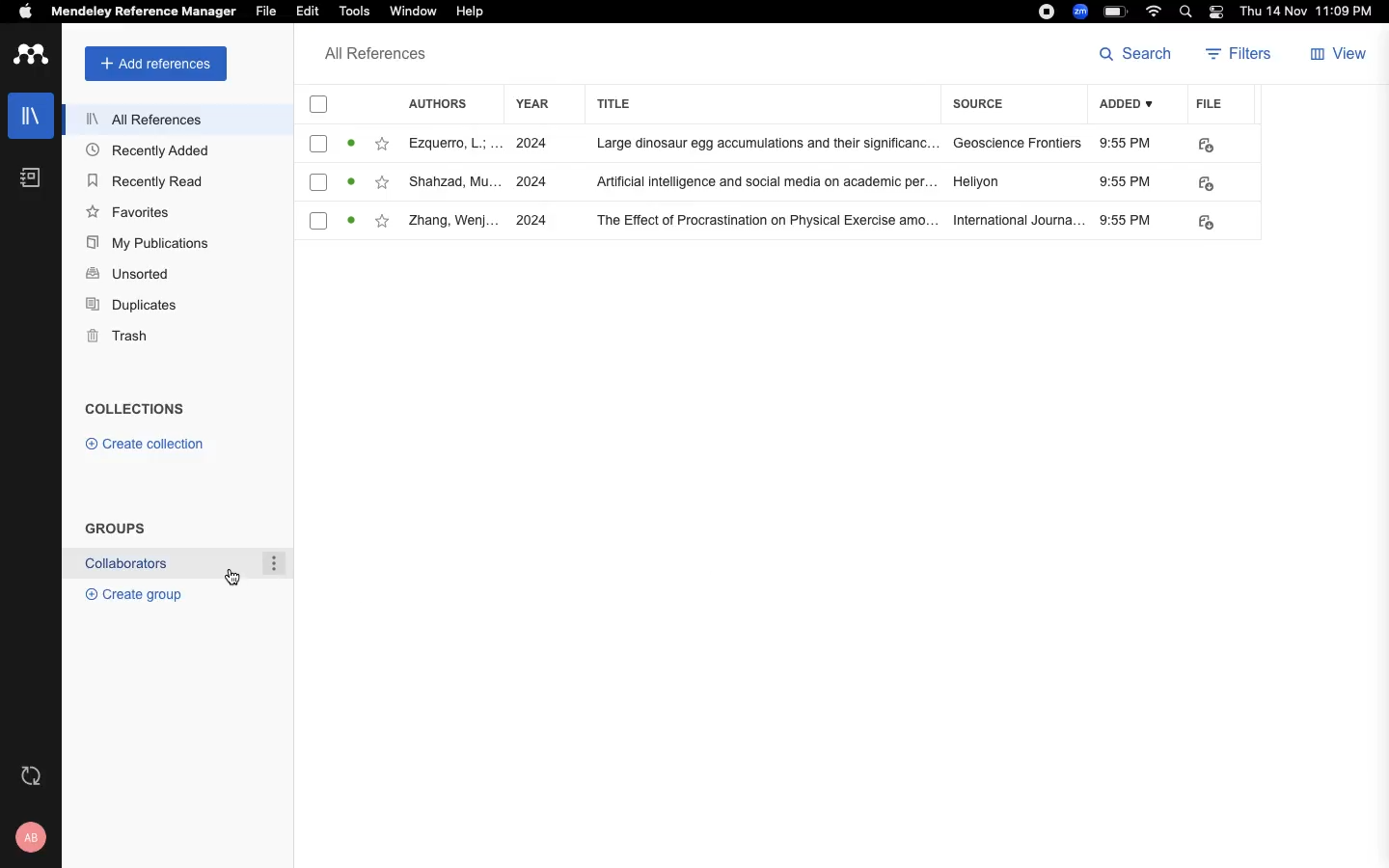 The width and height of the screenshot is (1389, 868). Describe the element at coordinates (313, 164) in the screenshot. I see `checkboxes` at that location.